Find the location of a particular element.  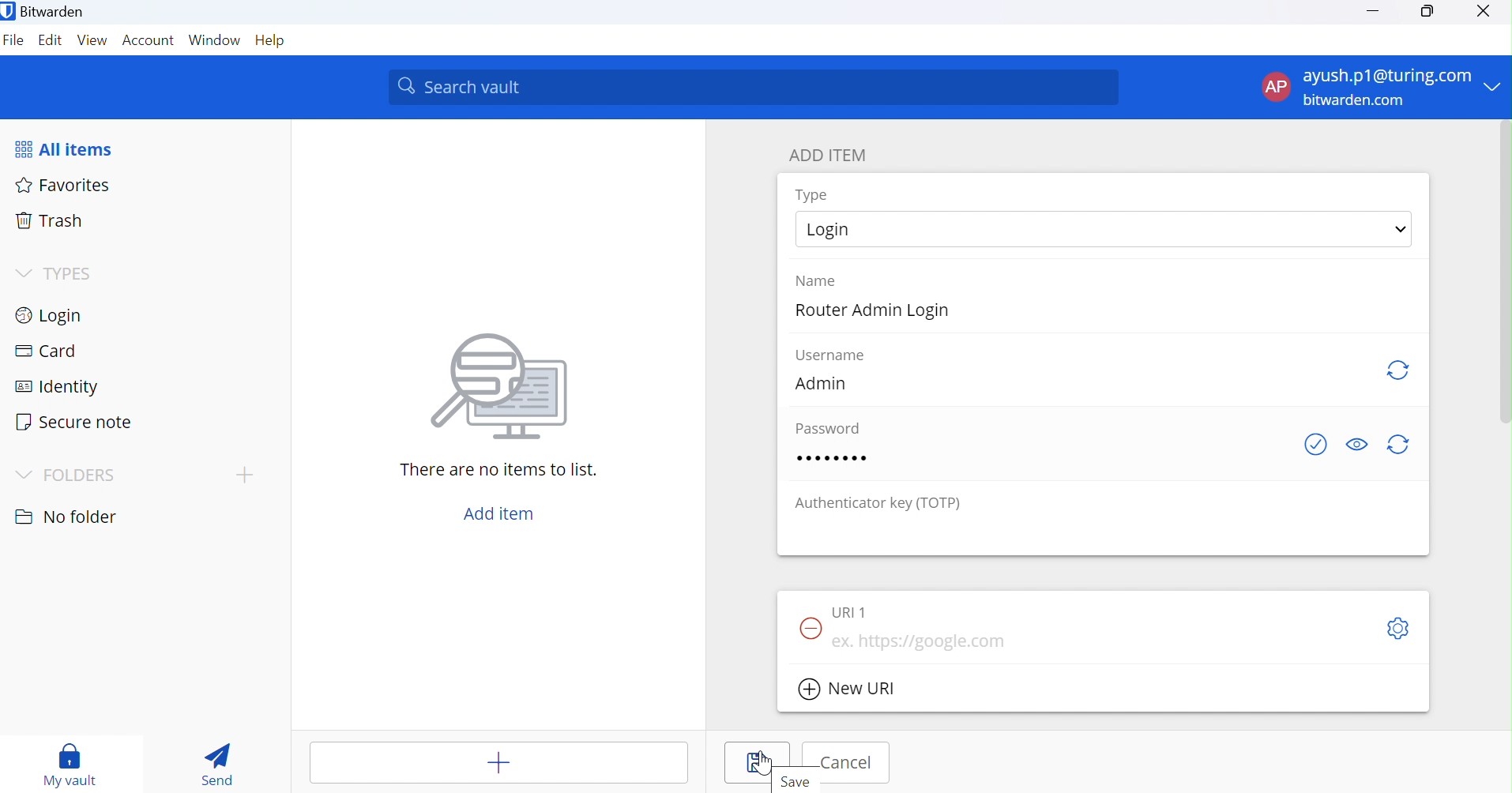

ADD ITEM is located at coordinates (834, 155).